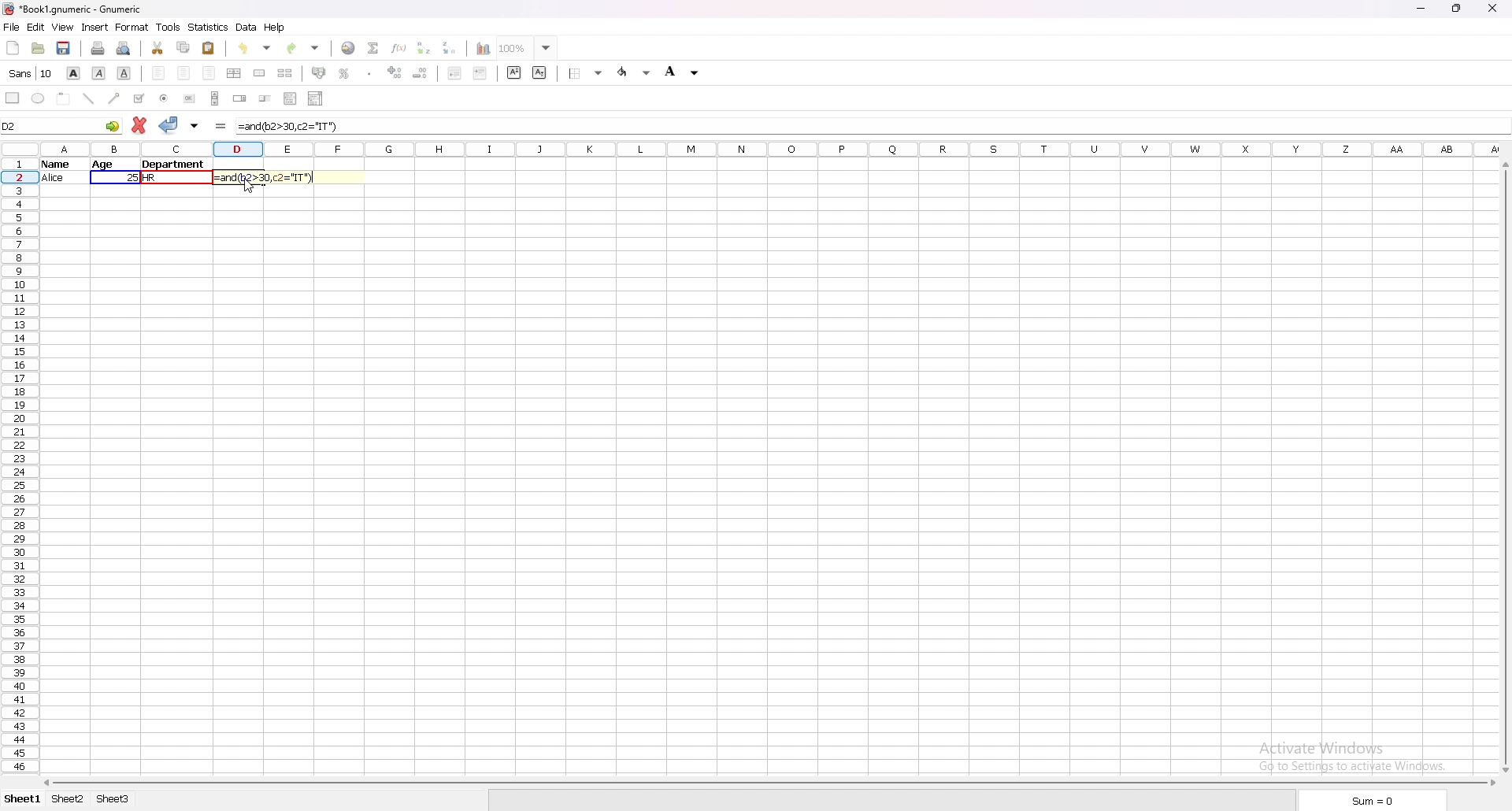  What do you see at coordinates (89, 98) in the screenshot?
I see `line` at bounding box center [89, 98].